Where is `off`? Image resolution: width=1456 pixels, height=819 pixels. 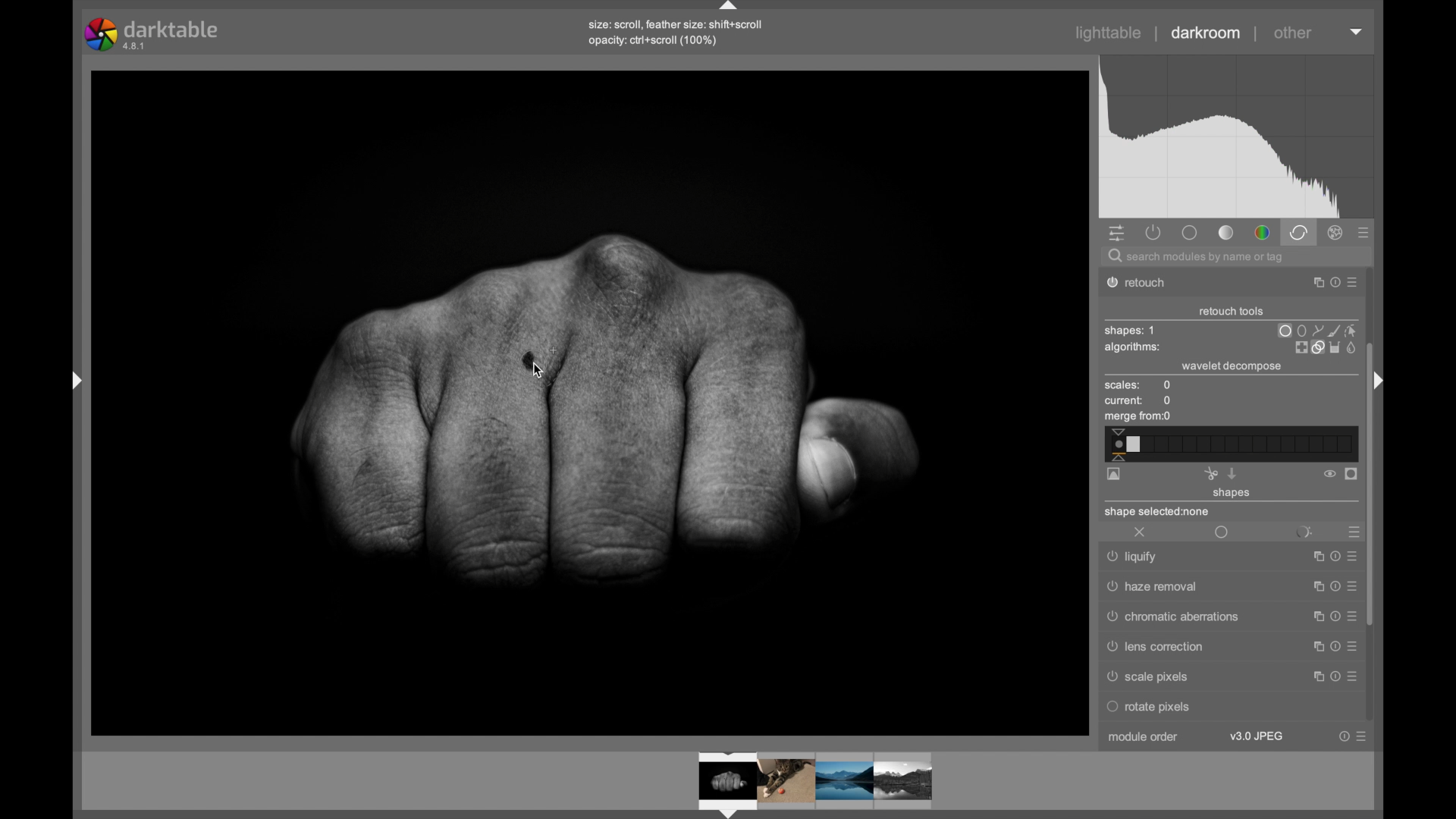 off is located at coordinates (1141, 533).